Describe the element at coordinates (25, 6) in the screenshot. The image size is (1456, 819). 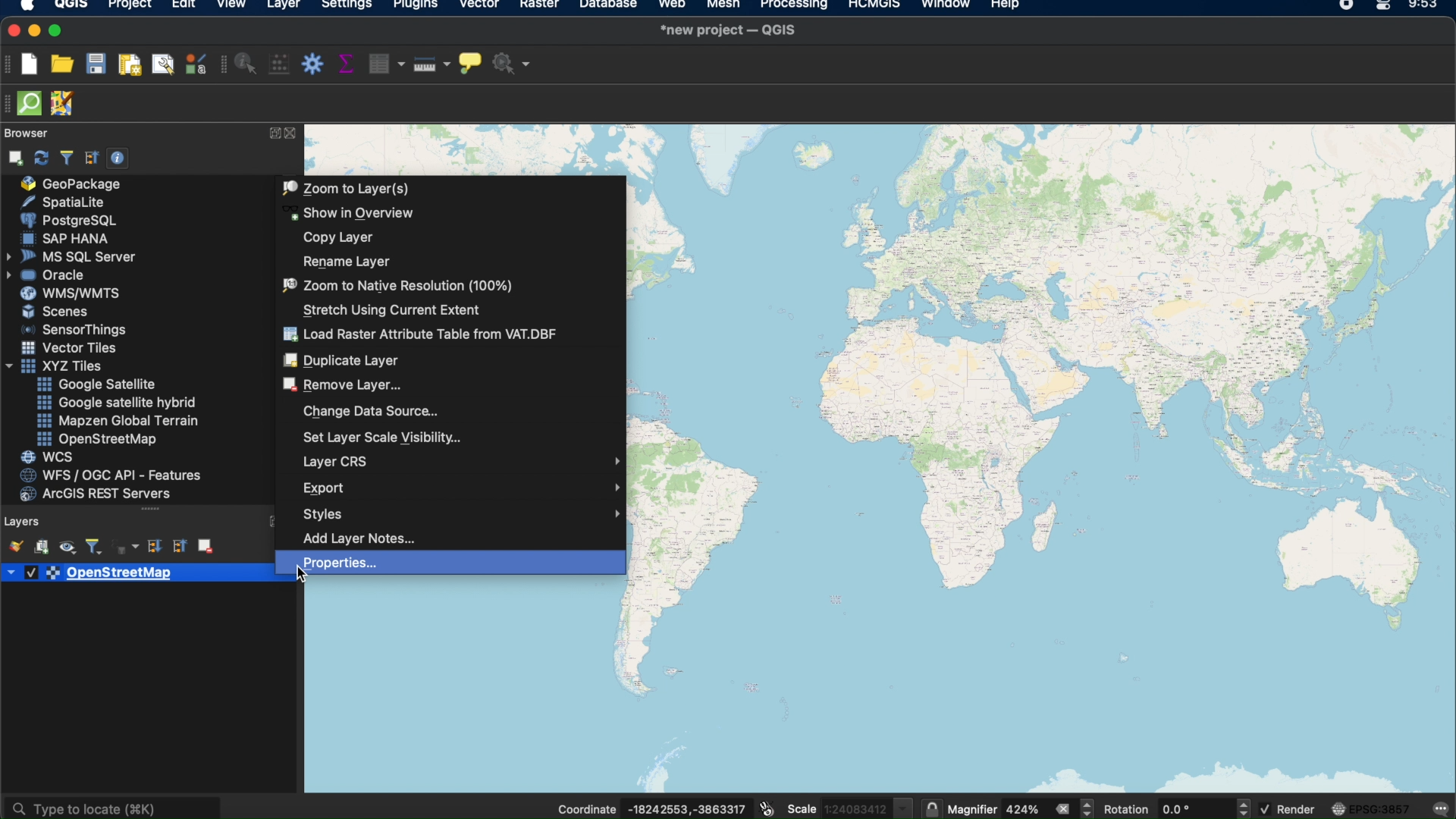
I see `apple logo` at that location.